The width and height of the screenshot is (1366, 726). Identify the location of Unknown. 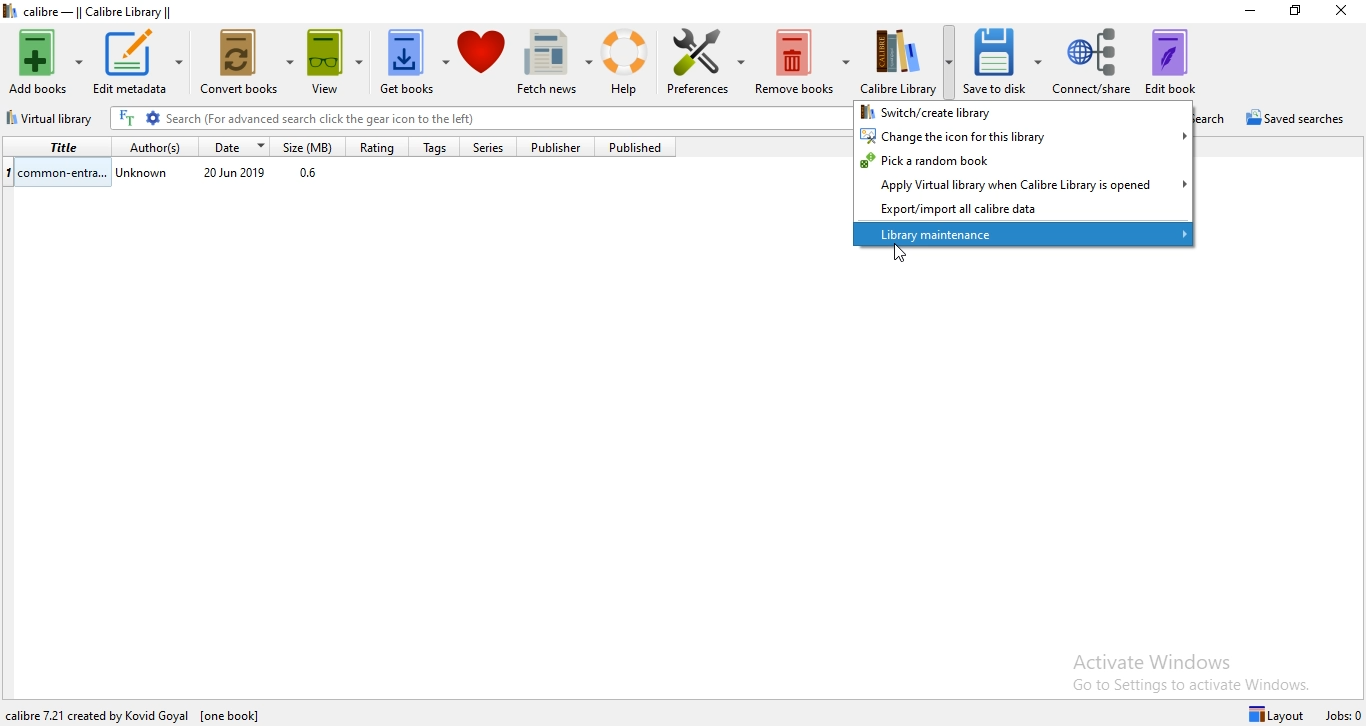
(144, 176).